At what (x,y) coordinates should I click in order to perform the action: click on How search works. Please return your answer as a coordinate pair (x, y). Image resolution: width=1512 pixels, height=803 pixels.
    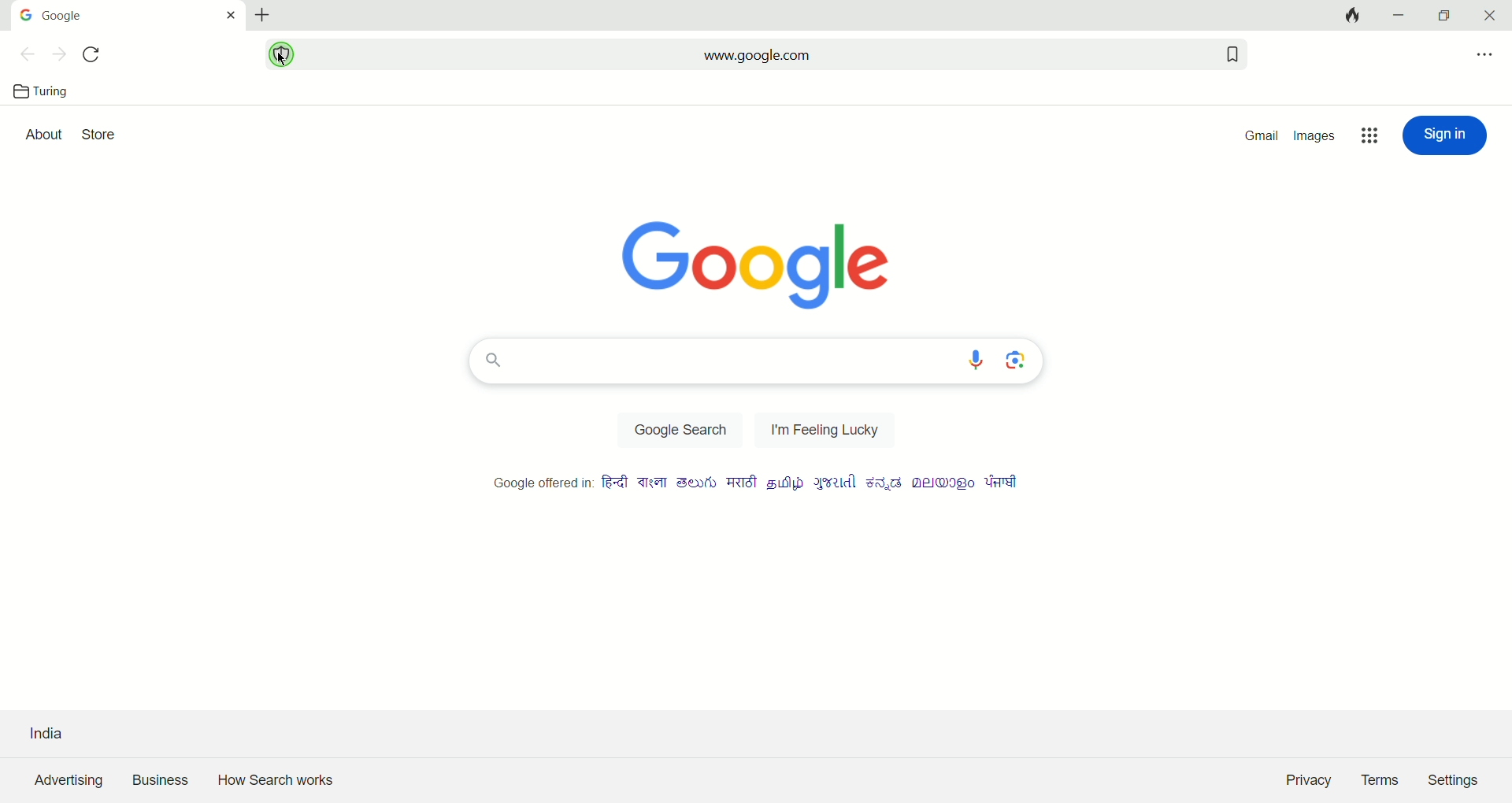
    Looking at the image, I should click on (278, 779).